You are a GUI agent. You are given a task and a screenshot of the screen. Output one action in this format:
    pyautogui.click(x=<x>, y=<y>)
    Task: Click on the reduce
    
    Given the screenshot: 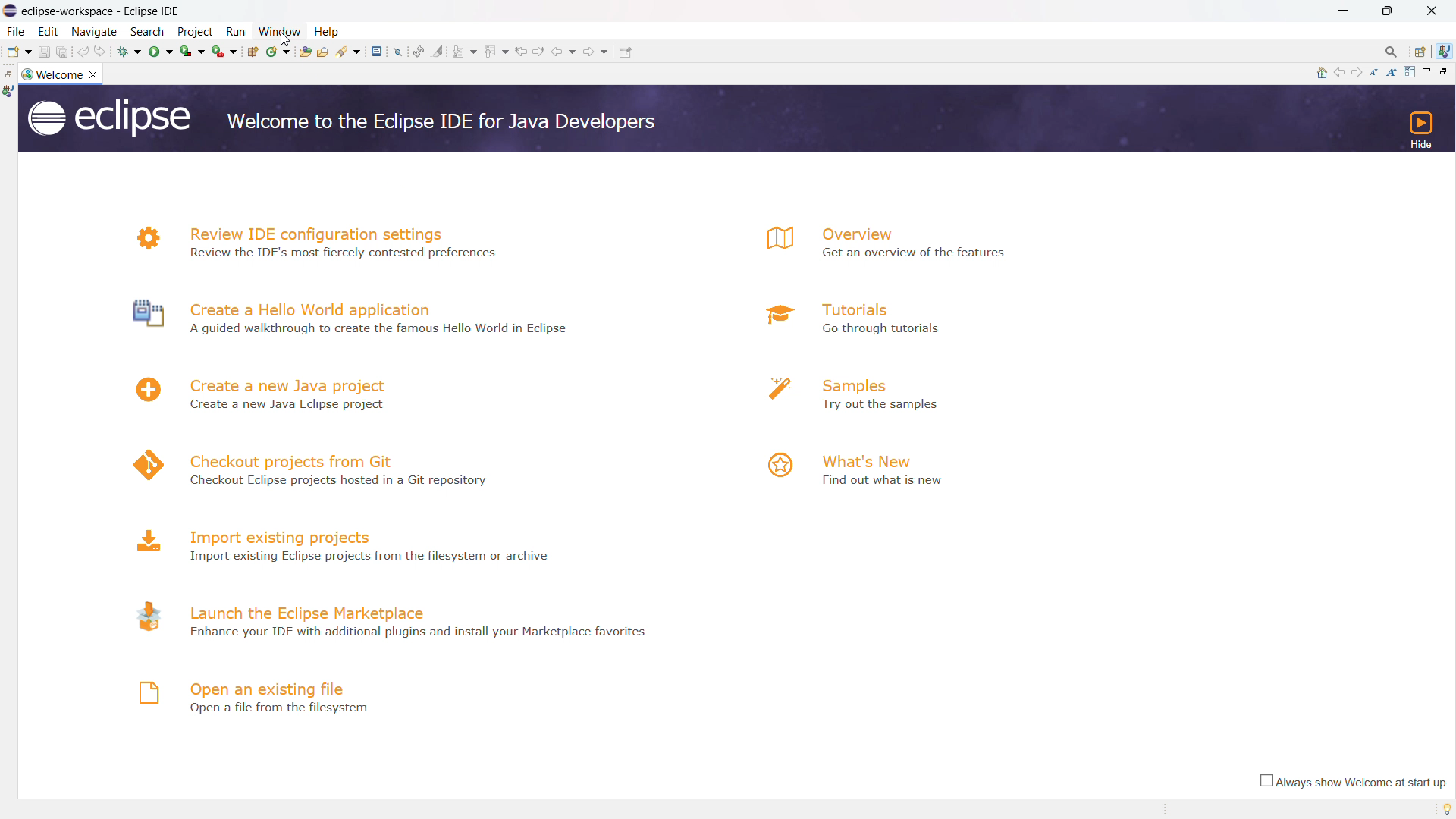 What is the action you would take?
    pyautogui.click(x=1376, y=72)
    